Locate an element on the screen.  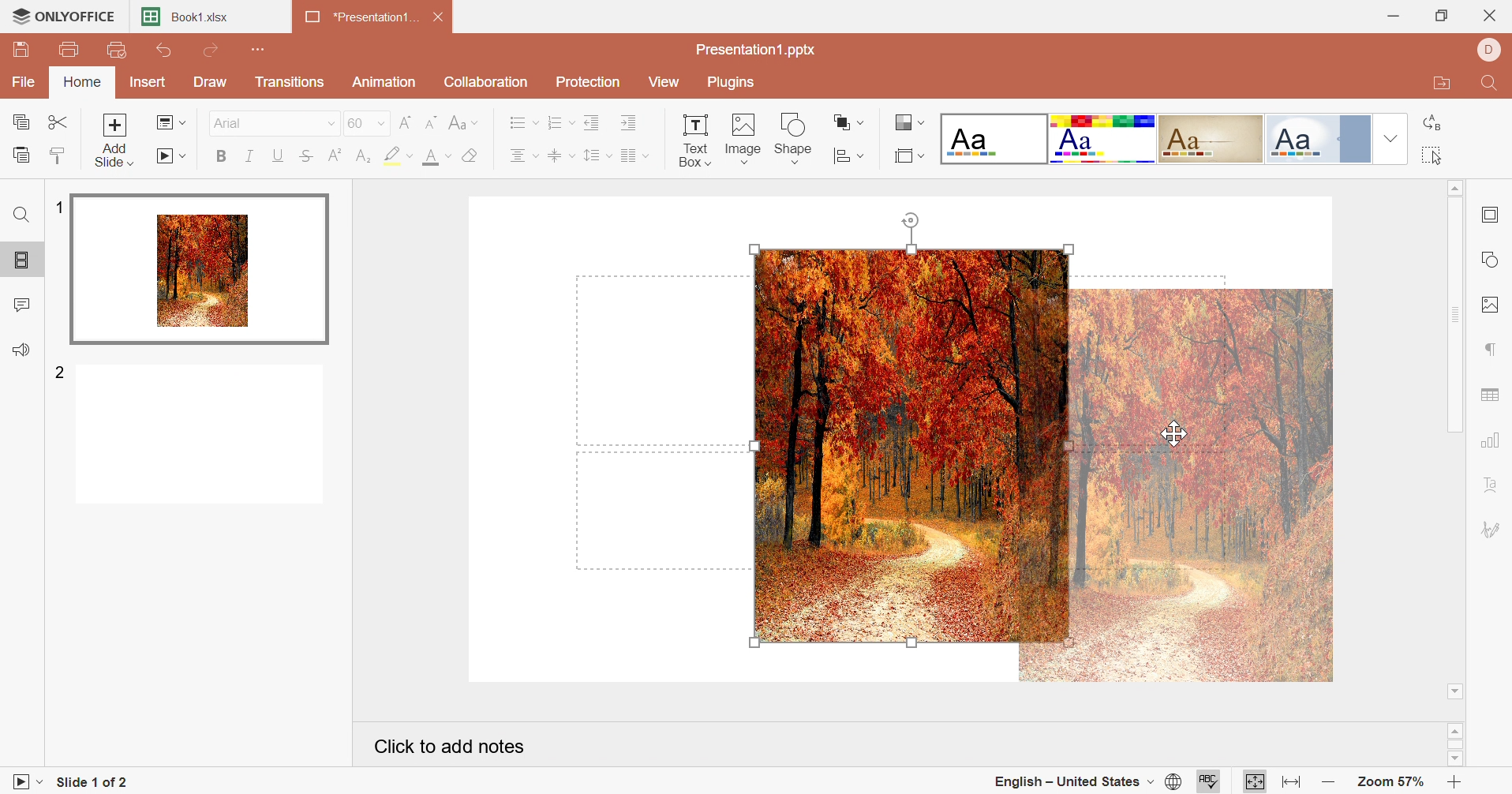
Minimize is located at coordinates (1387, 14).